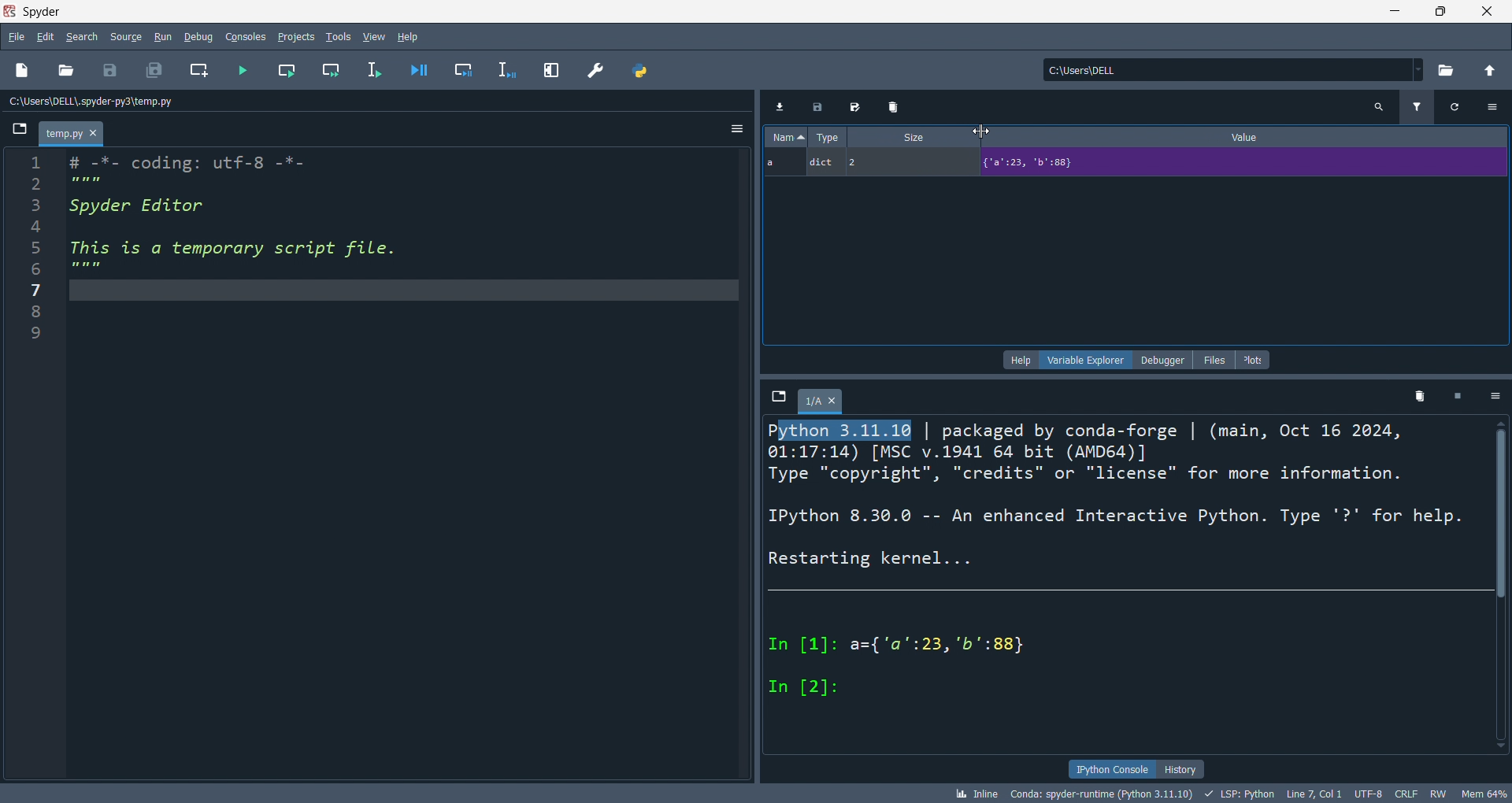 Image resolution: width=1512 pixels, height=803 pixels. Describe the element at coordinates (239, 36) in the screenshot. I see `consoles` at that location.